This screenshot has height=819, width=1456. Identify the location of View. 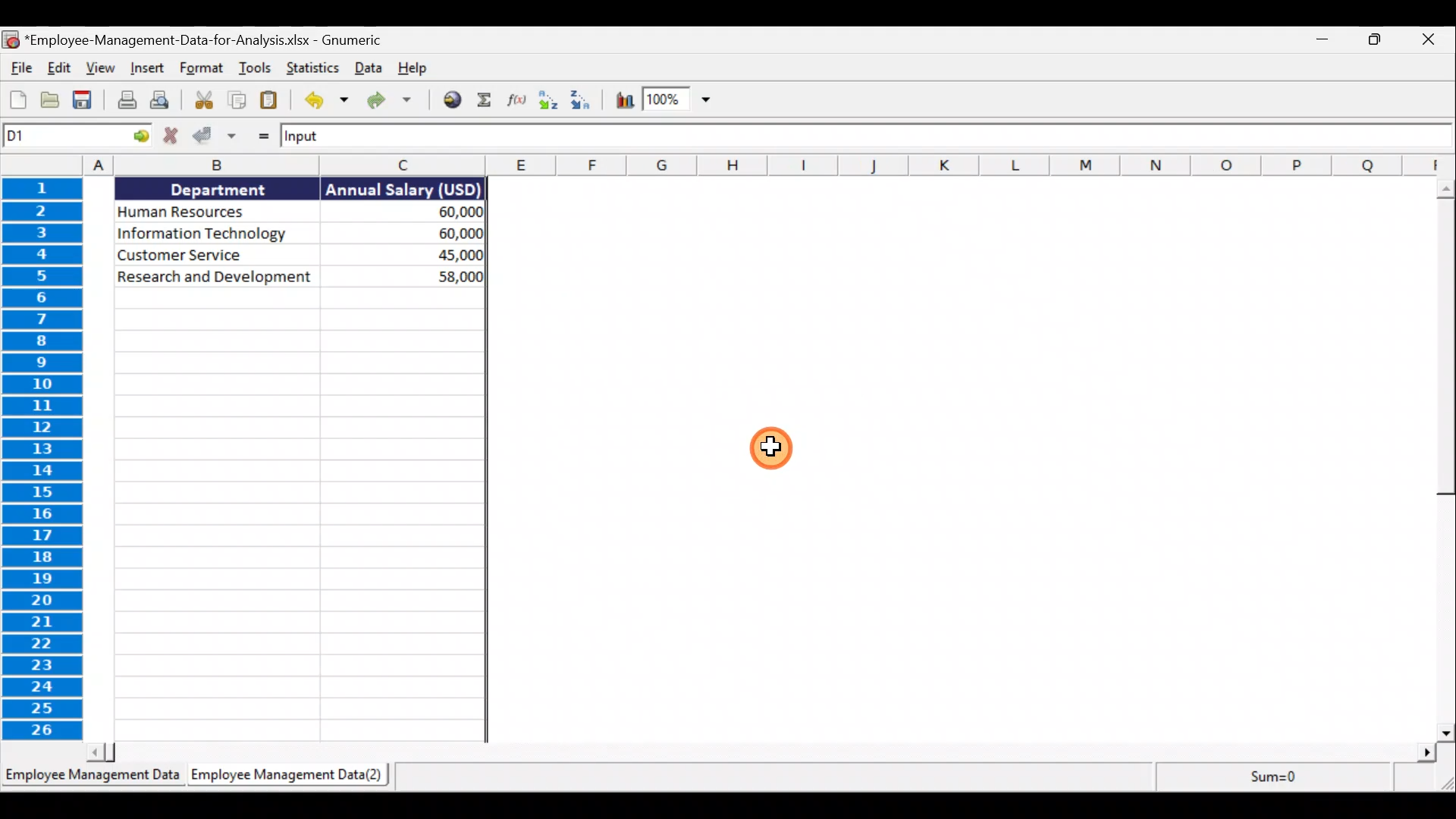
(103, 65).